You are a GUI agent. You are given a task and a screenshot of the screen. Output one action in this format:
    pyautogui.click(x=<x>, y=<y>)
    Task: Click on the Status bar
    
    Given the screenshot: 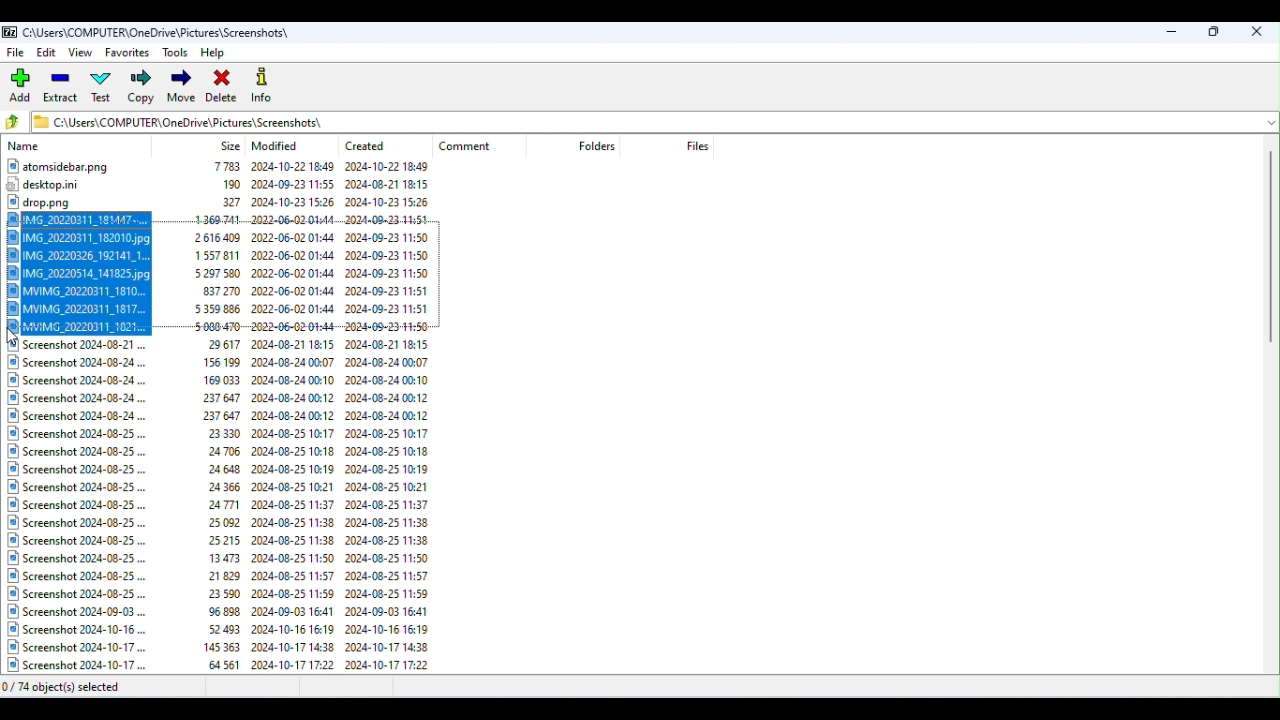 What is the action you would take?
    pyautogui.click(x=642, y=688)
    